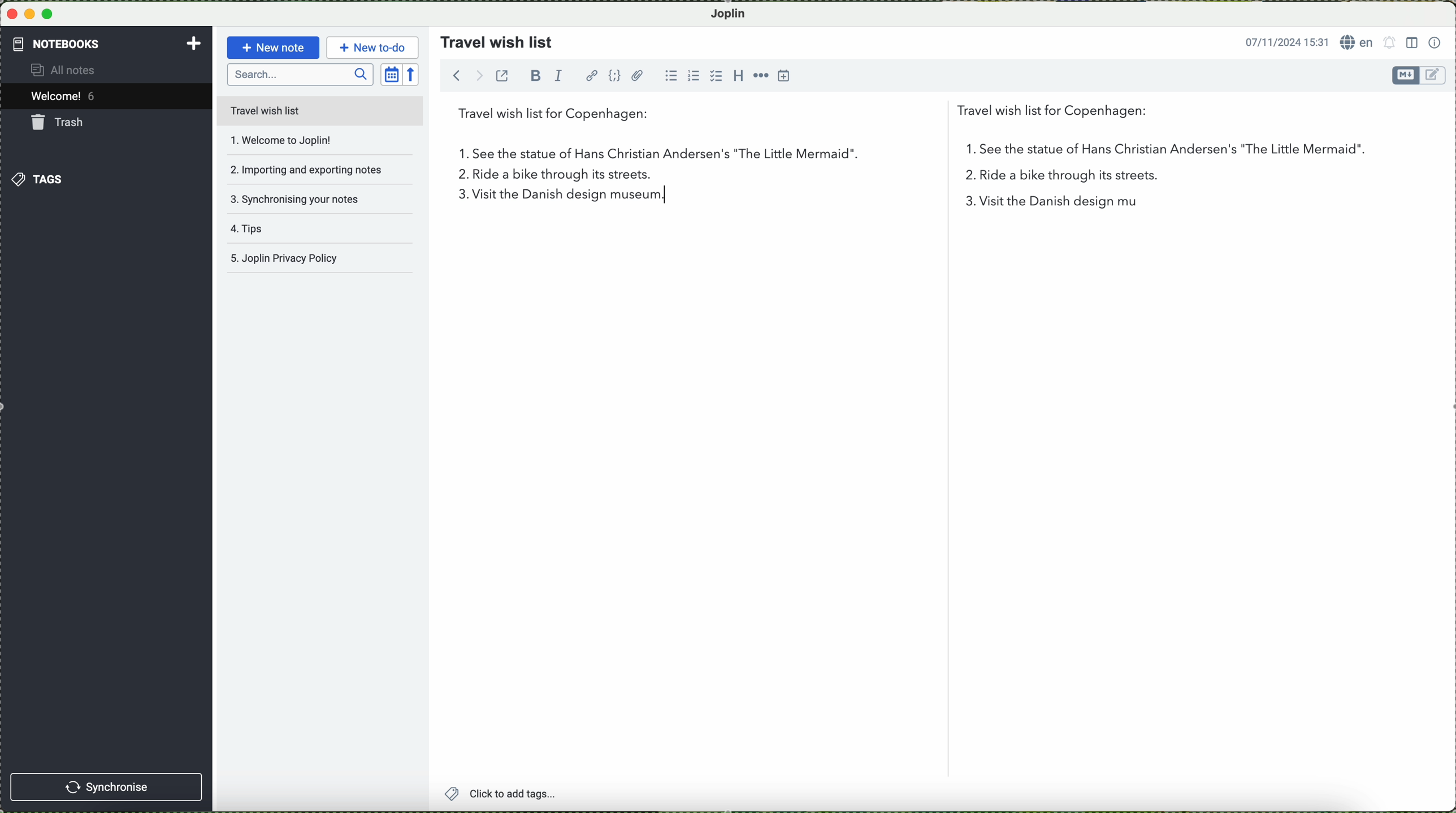 Image resolution: width=1456 pixels, height=813 pixels. Describe the element at coordinates (372, 46) in the screenshot. I see `new to-do` at that location.